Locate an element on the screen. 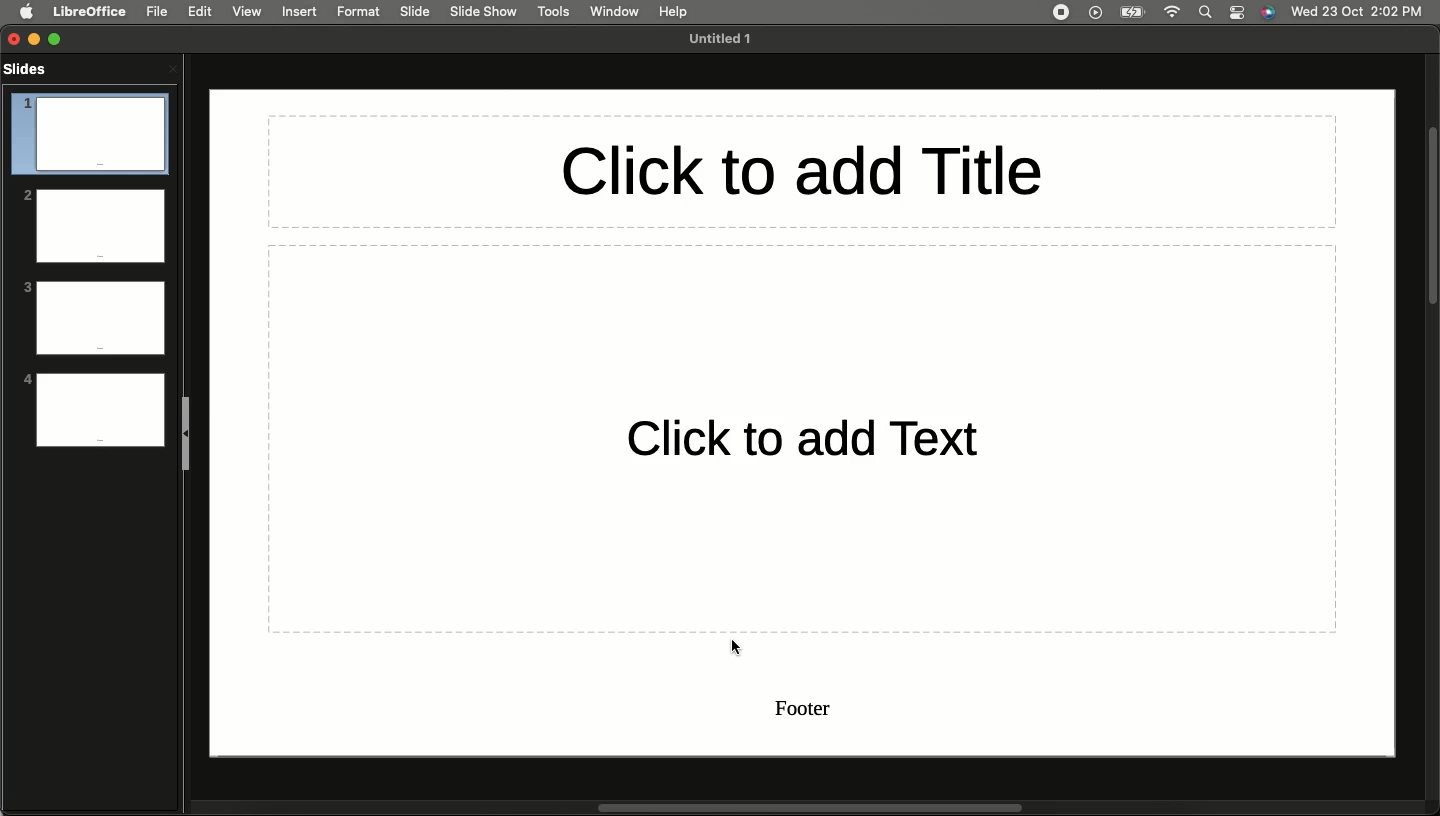 Image resolution: width=1440 pixels, height=816 pixels. File name is located at coordinates (725, 39).